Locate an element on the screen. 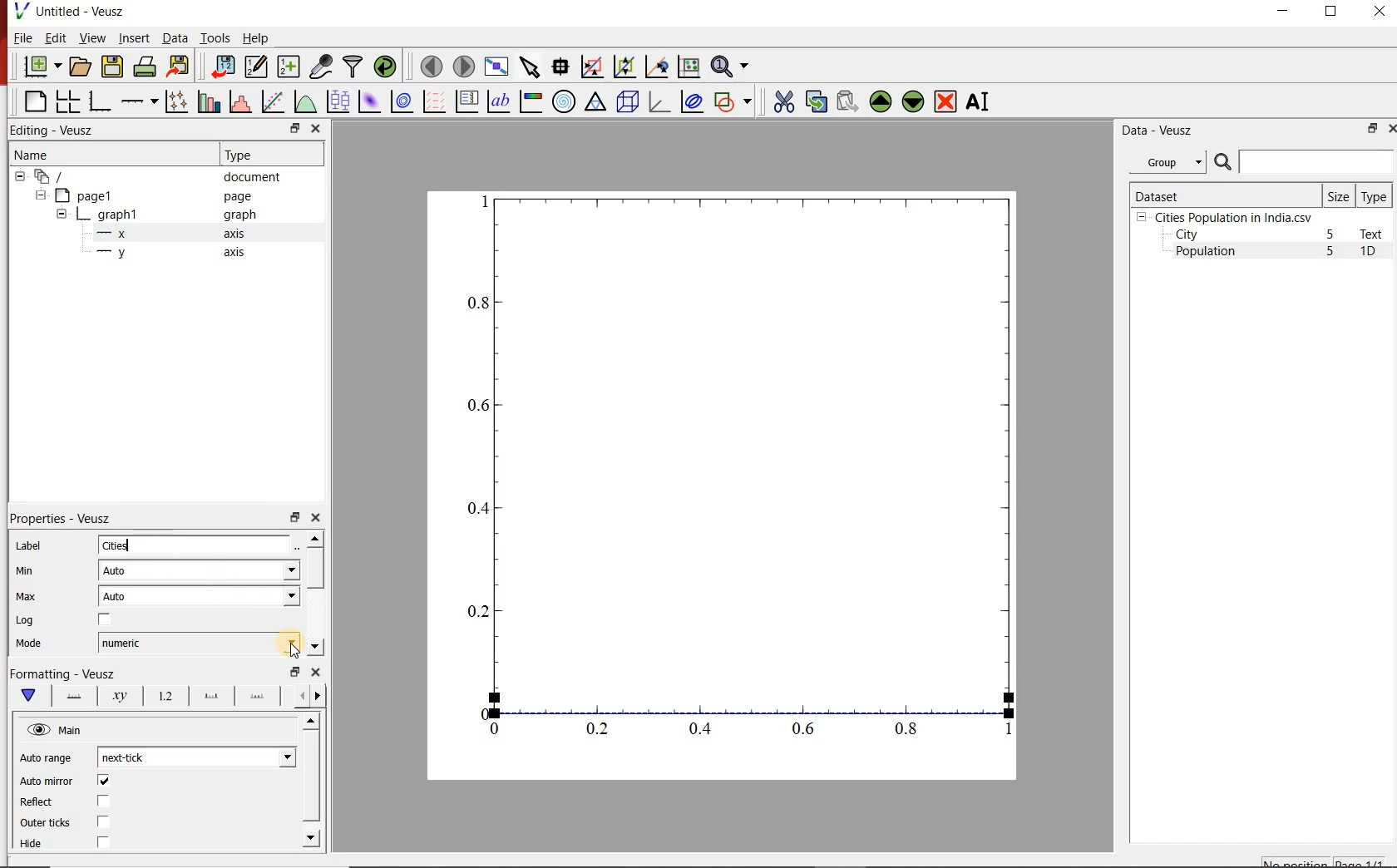 Image resolution: width=1397 pixels, height=868 pixels. Axis line is located at coordinates (73, 698).